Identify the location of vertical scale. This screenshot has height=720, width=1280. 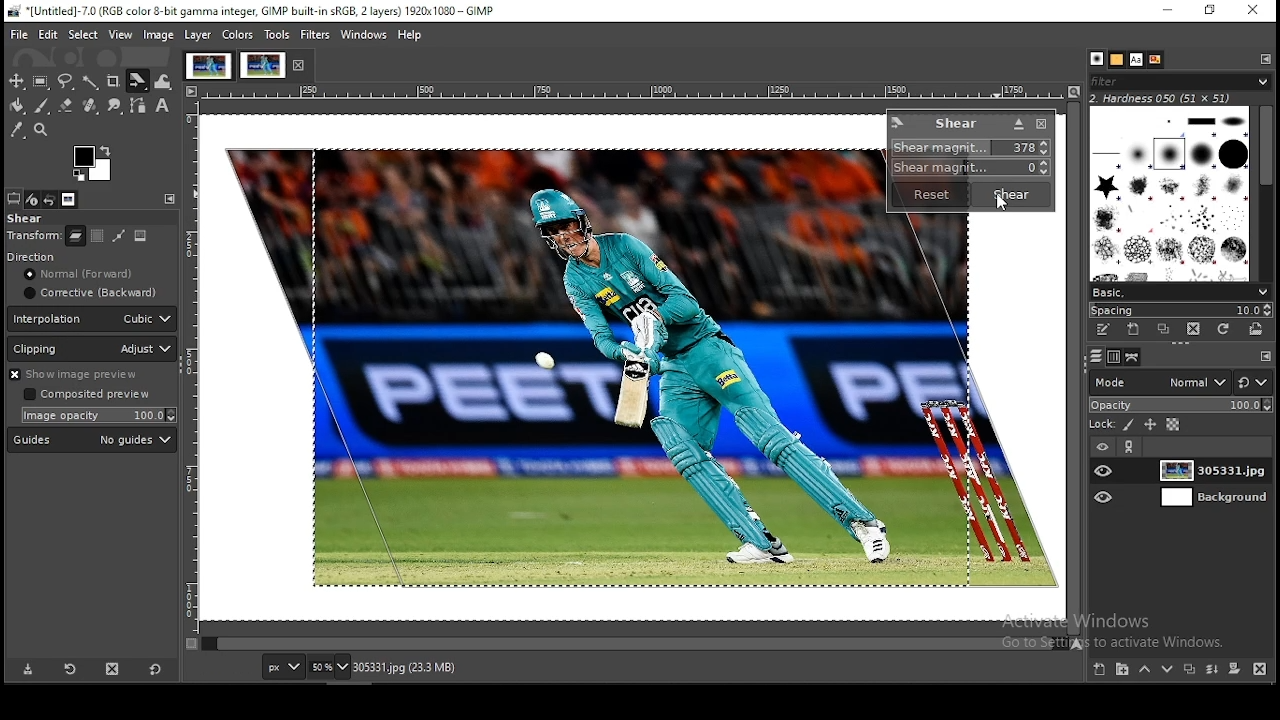
(192, 374).